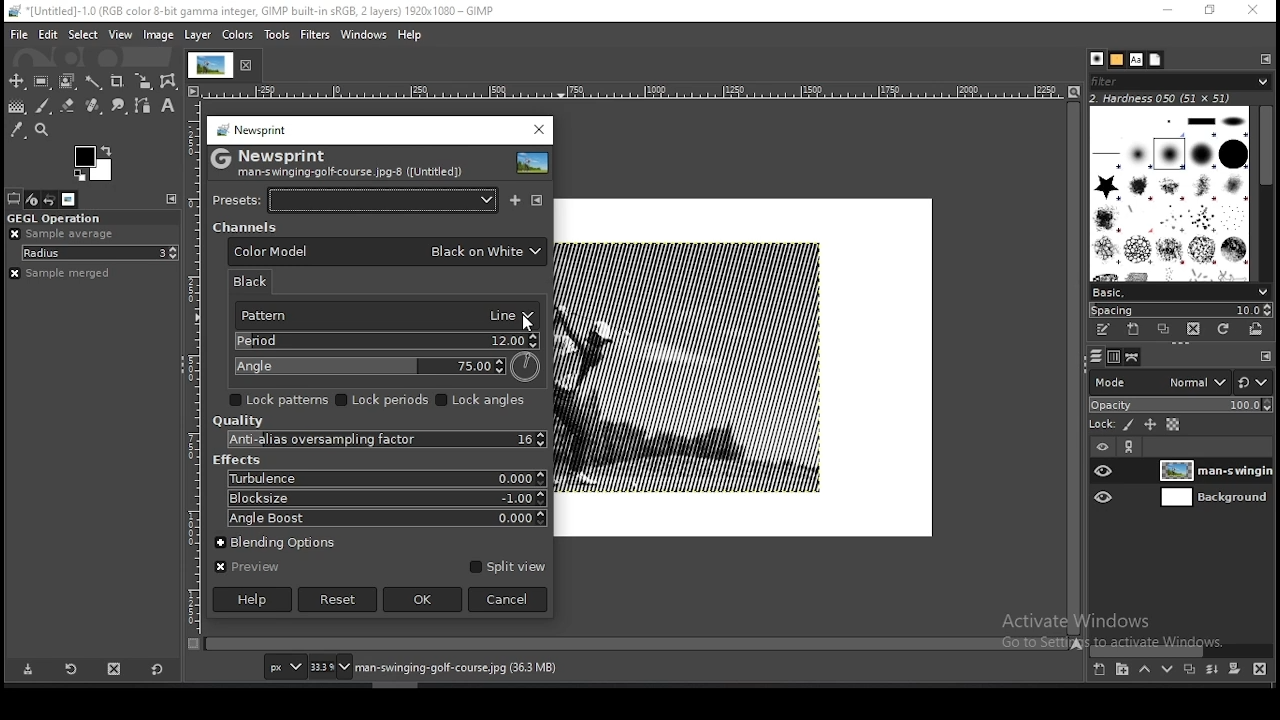  Describe the element at coordinates (340, 162) in the screenshot. I see `Newsprint man-swinging-golf-course.jpg-8 ([untitled])` at that location.